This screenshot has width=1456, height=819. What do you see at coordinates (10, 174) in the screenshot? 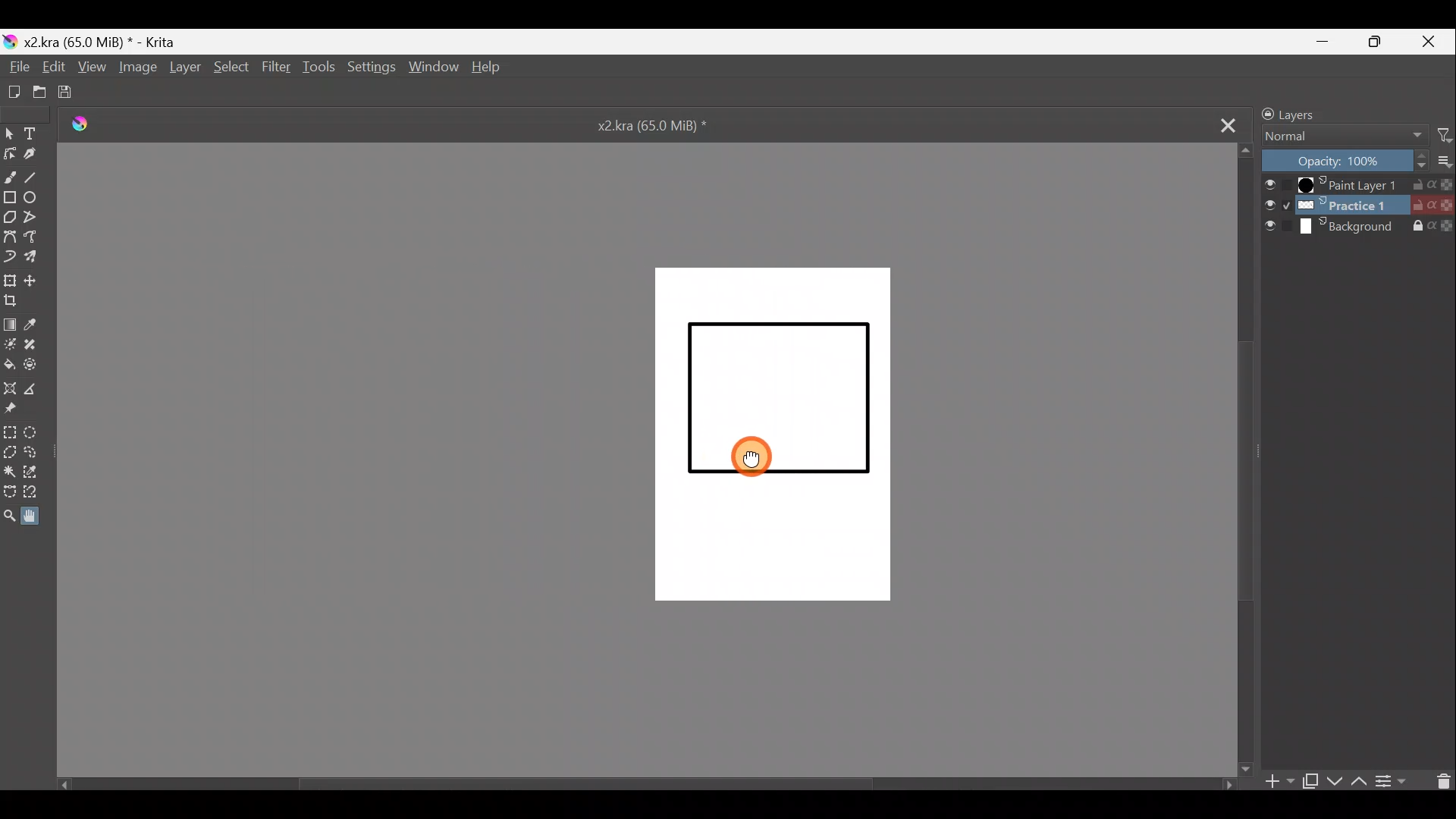
I see `Freehand brush tool` at bounding box center [10, 174].